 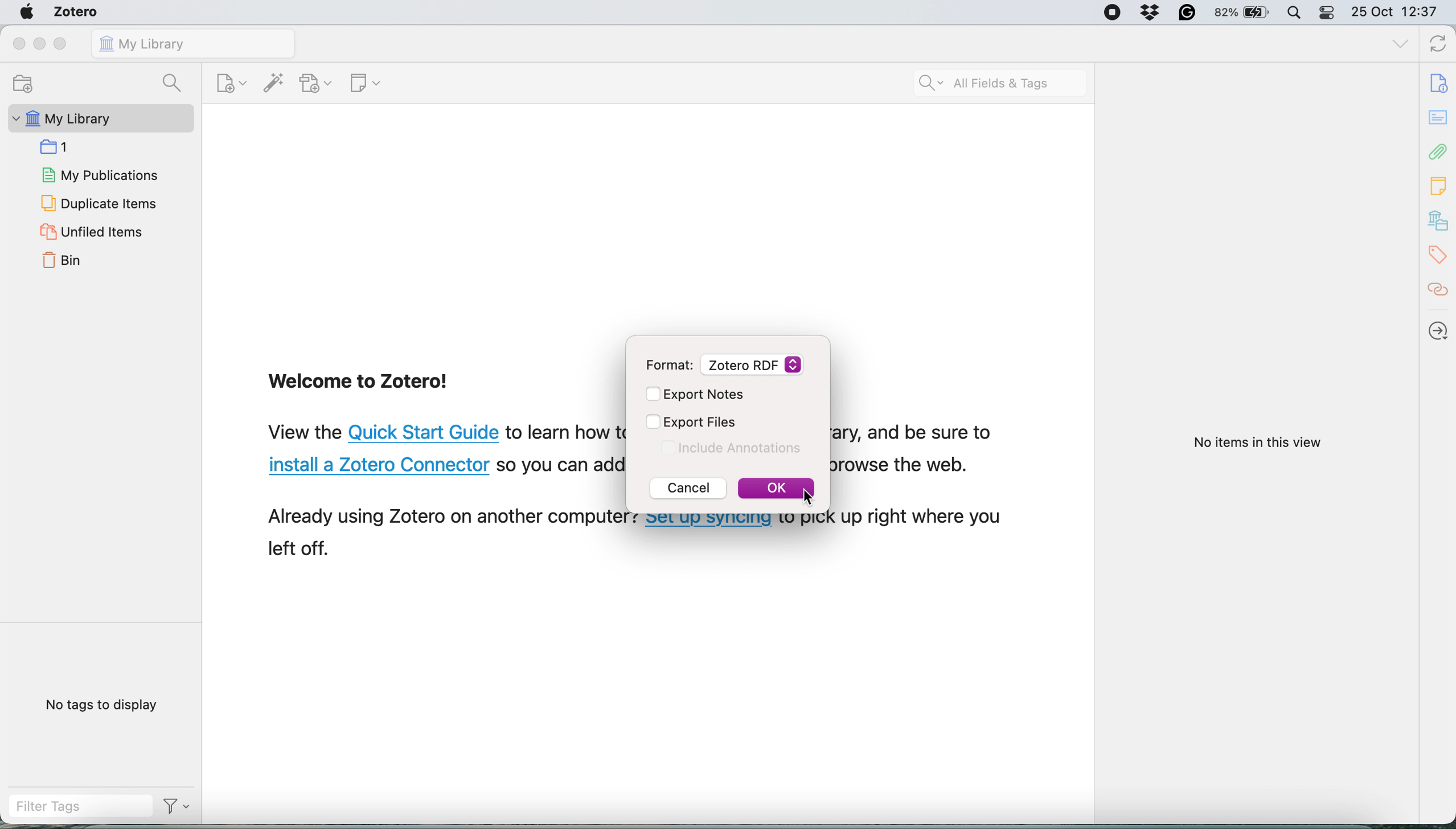 I want to click on new item, so click(x=231, y=84).